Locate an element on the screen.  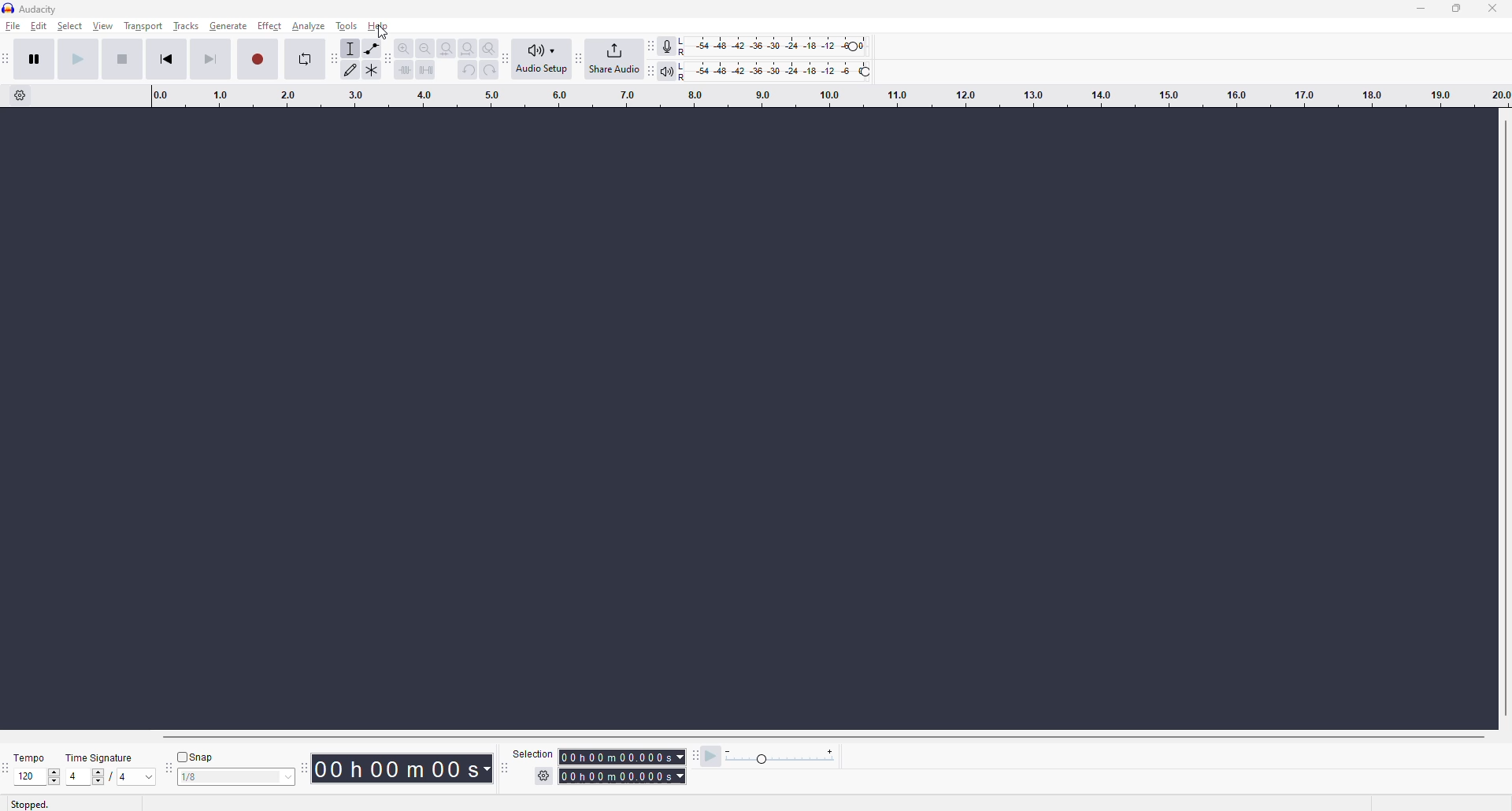
play at speed is located at coordinates (707, 759).